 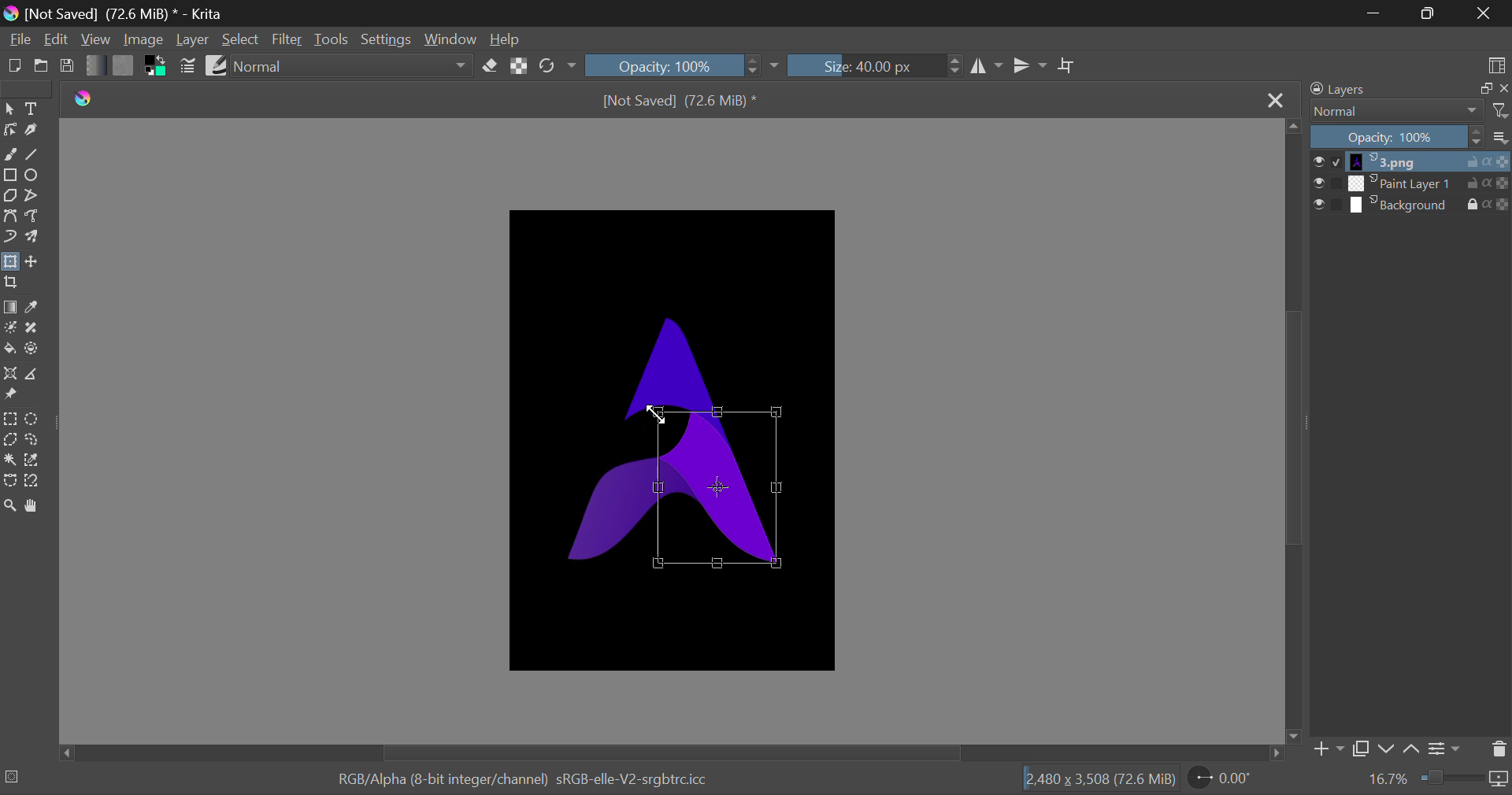 What do you see at coordinates (126, 13) in the screenshot?
I see `[Not Saved] (71.4 MiB) * - Krita` at bounding box center [126, 13].